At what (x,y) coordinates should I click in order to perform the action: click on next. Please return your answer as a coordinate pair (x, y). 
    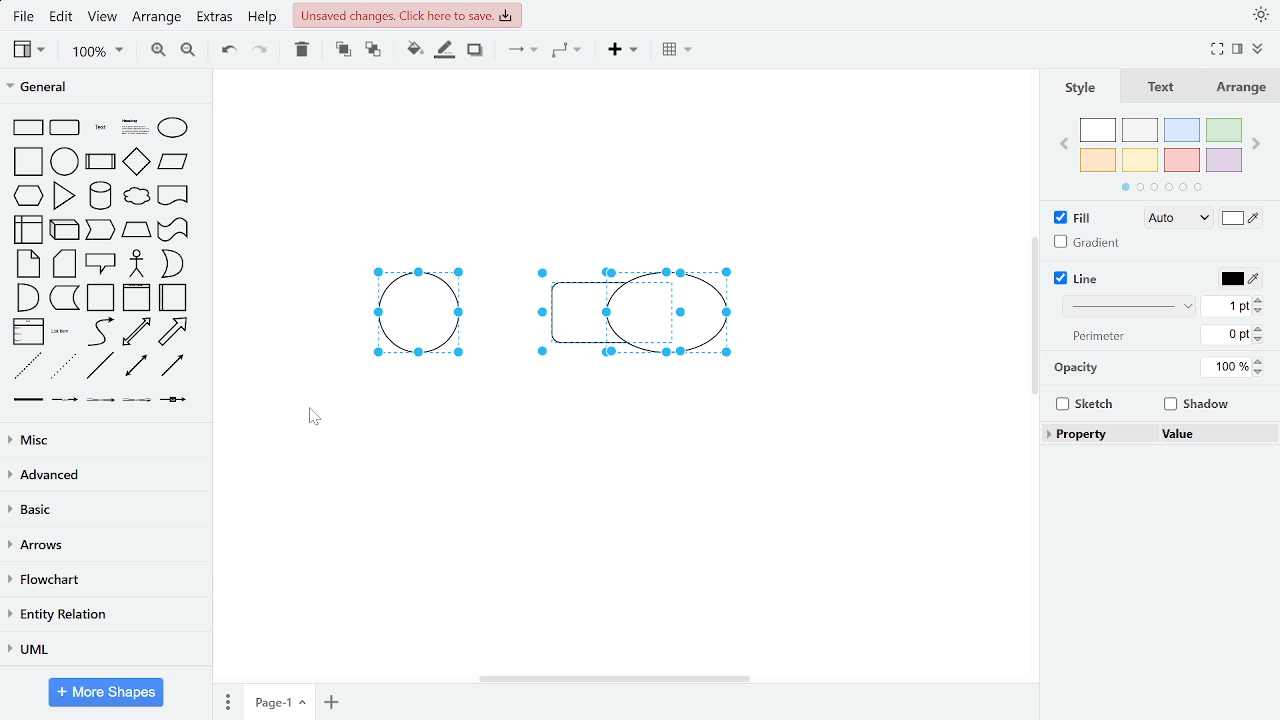
    Looking at the image, I should click on (1256, 145).